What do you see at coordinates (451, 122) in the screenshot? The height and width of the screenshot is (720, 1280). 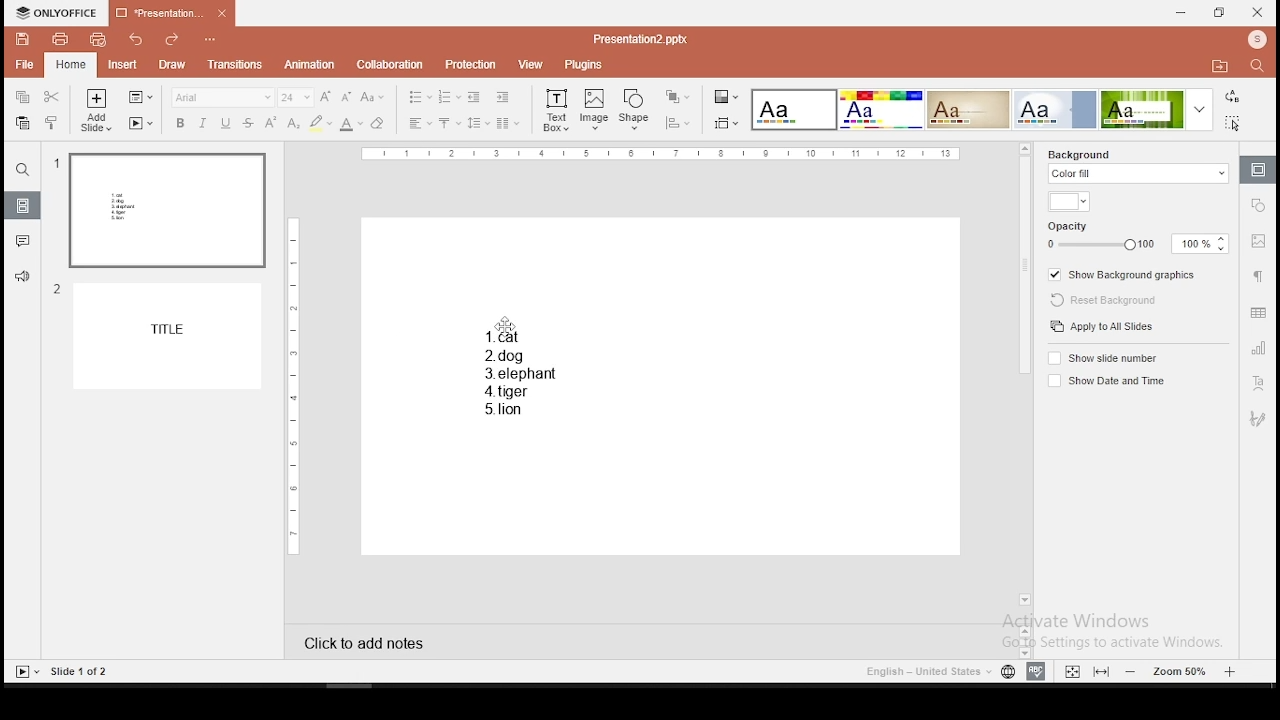 I see `vertical alignment` at bounding box center [451, 122].